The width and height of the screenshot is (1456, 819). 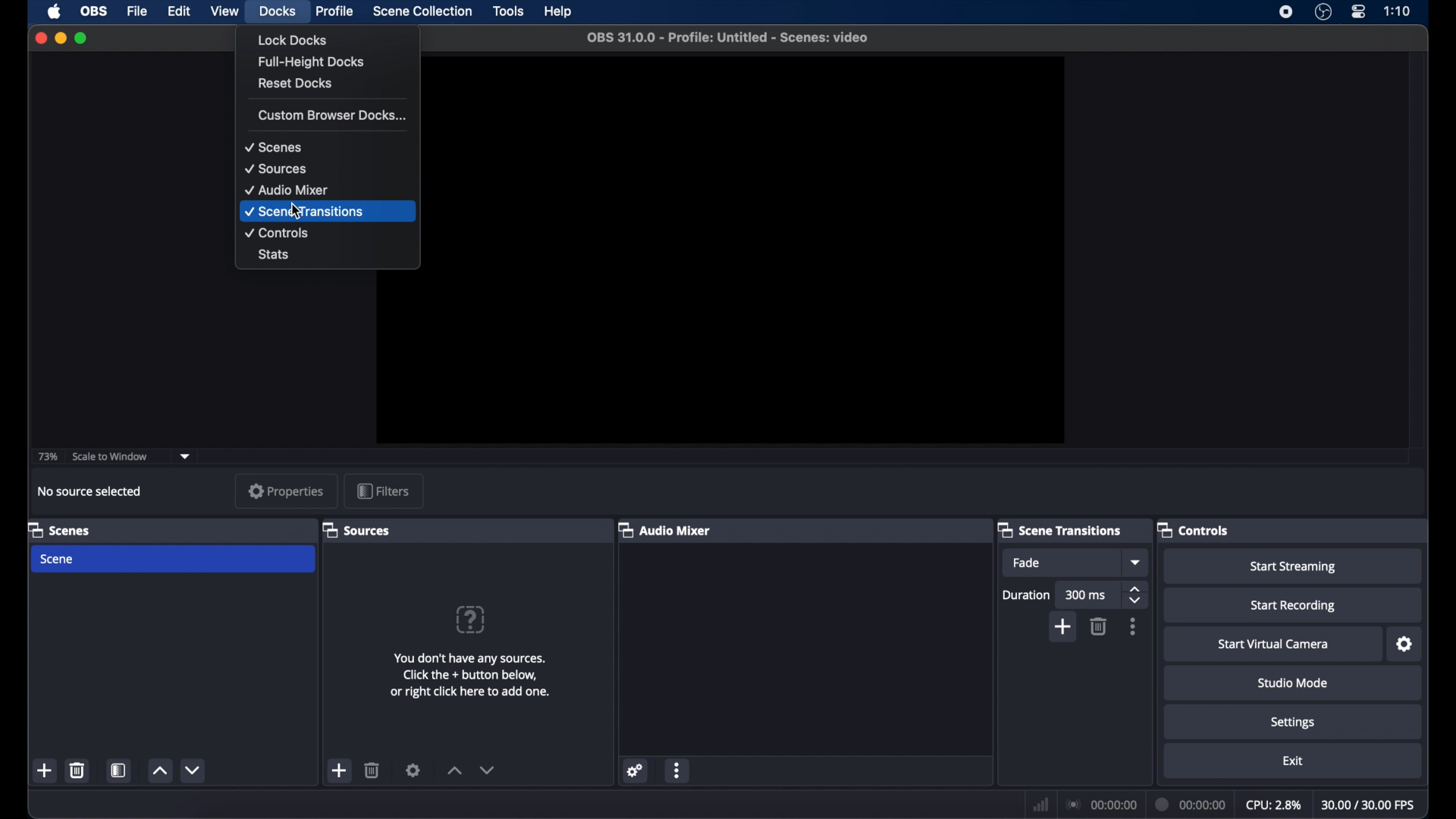 I want to click on netwrok, so click(x=1040, y=805).